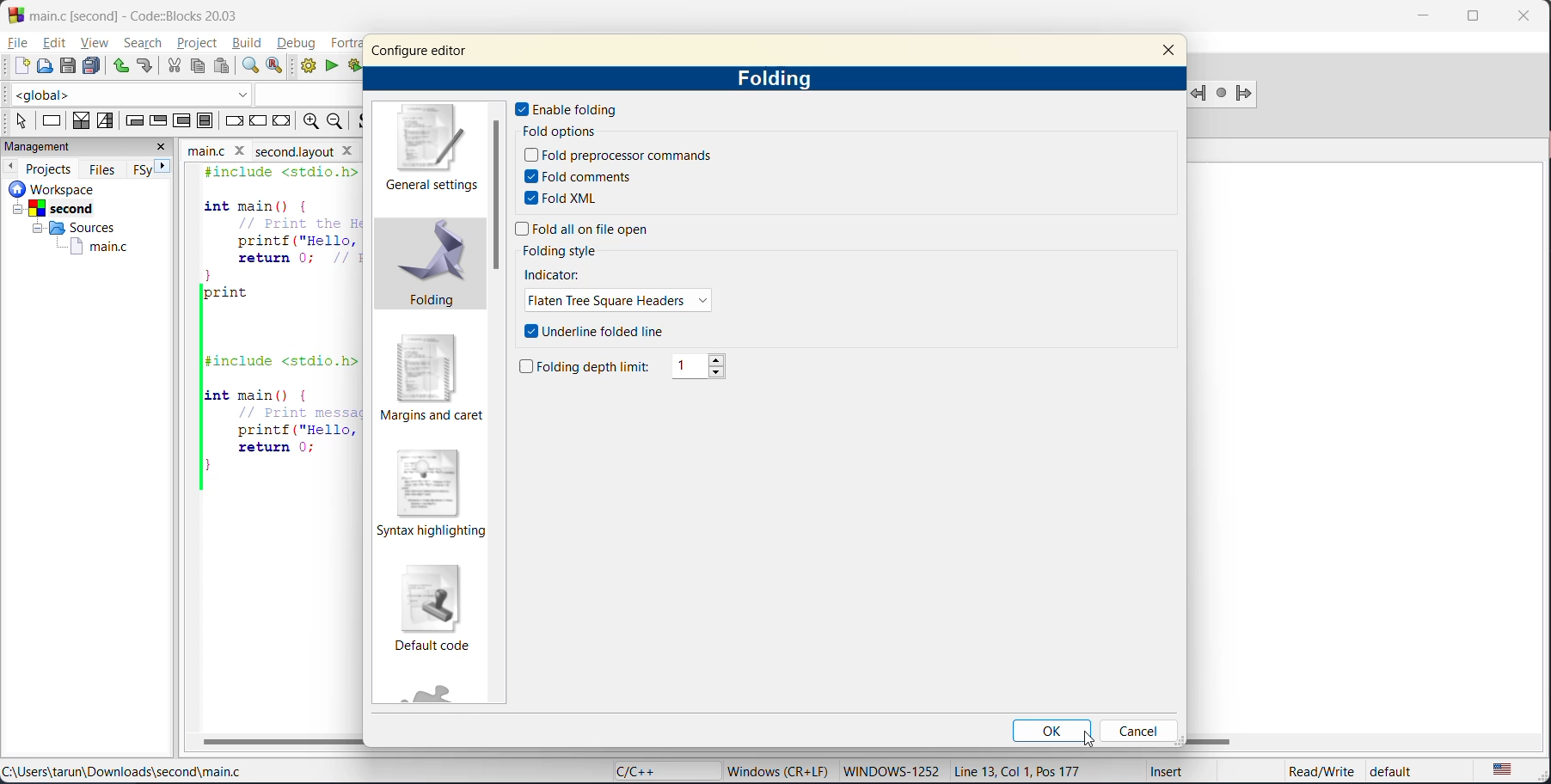 The width and height of the screenshot is (1551, 784). I want to click on horizontal scroll bar, so click(281, 742).